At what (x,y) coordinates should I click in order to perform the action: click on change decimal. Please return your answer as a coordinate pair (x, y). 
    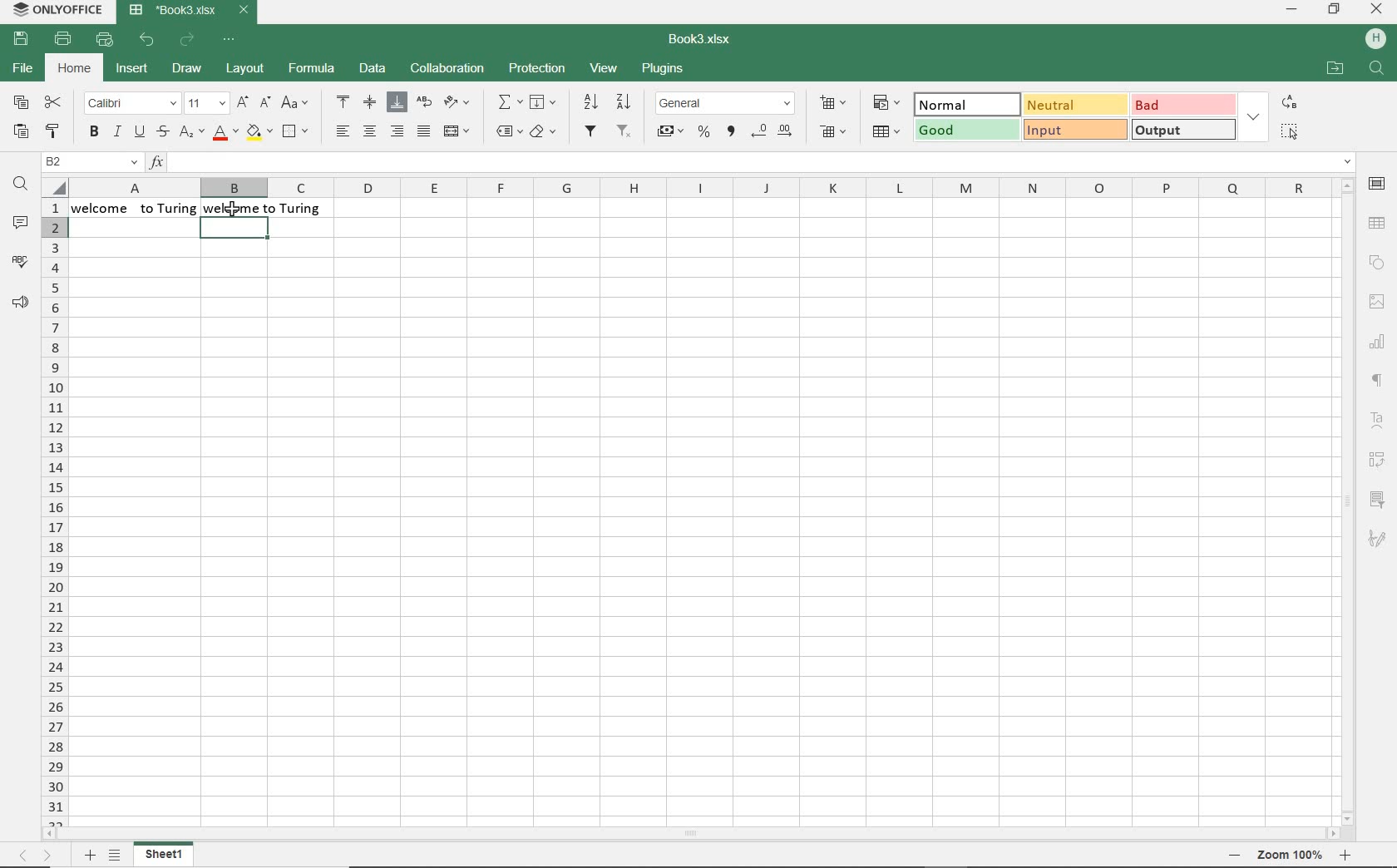
    Looking at the image, I should click on (773, 131).